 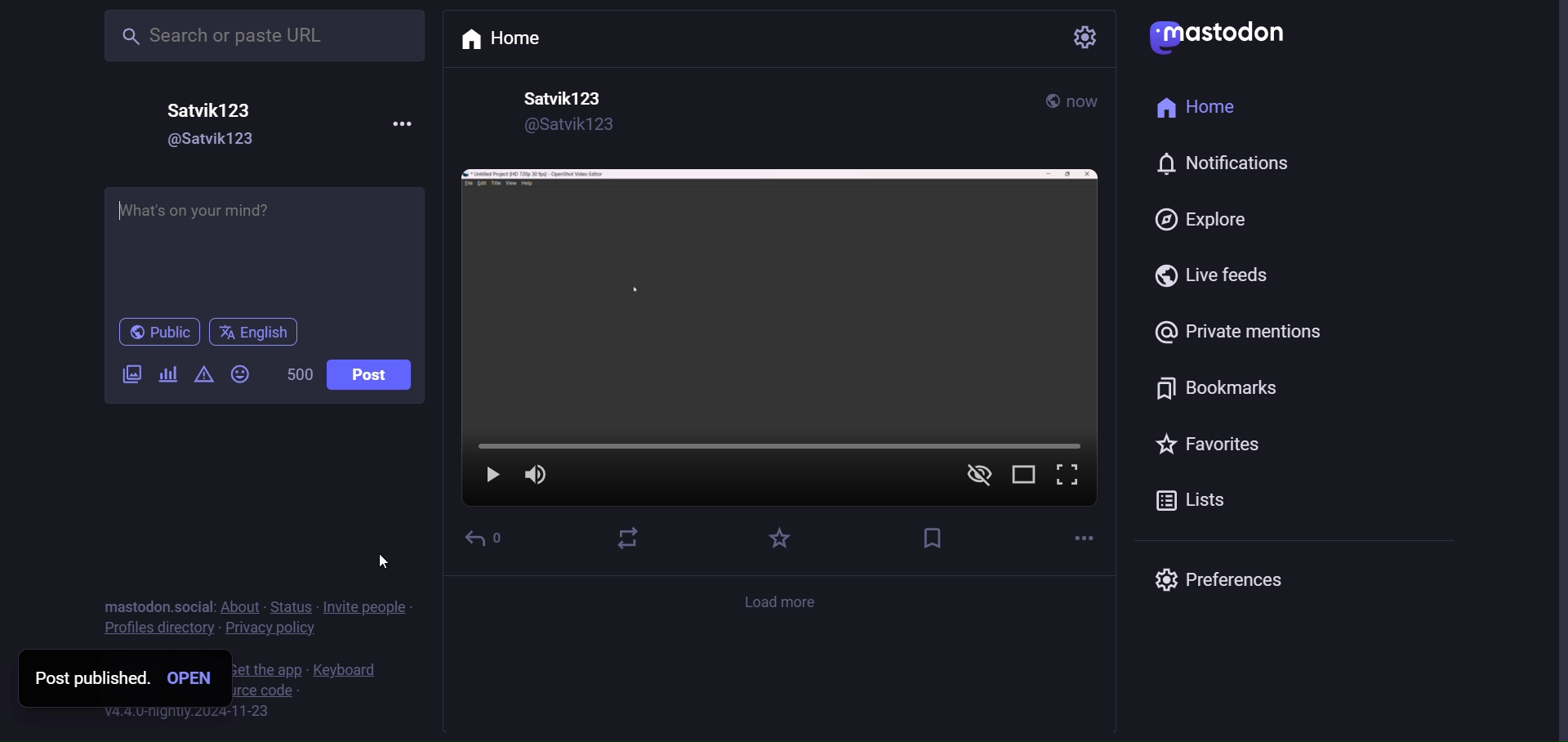 What do you see at coordinates (265, 670) in the screenshot?
I see `get the app` at bounding box center [265, 670].